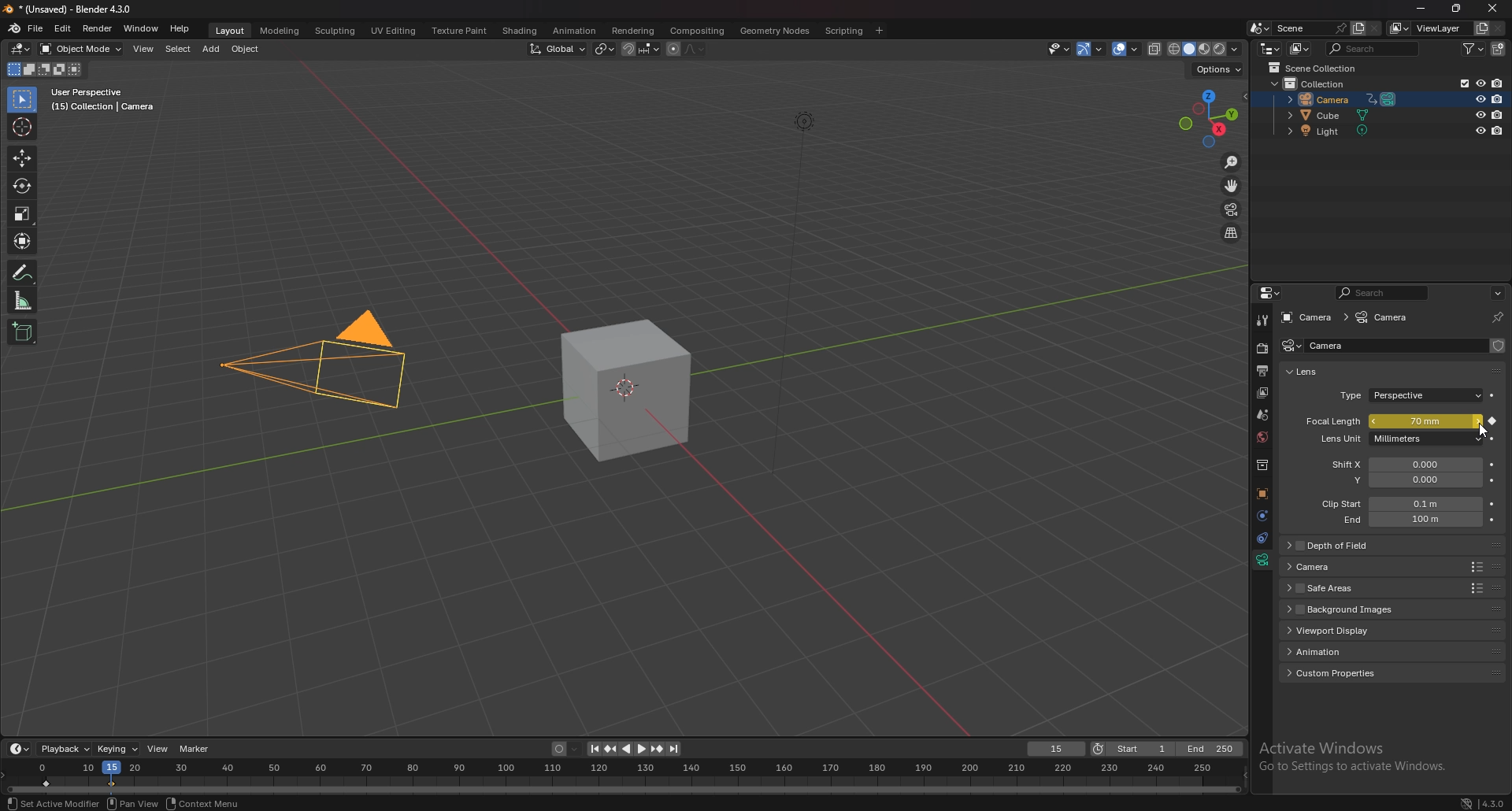 Image resolution: width=1512 pixels, height=811 pixels. What do you see at coordinates (675, 749) in the screenshot?
I see `jump to endpoint` at bounding box center [675, 749].